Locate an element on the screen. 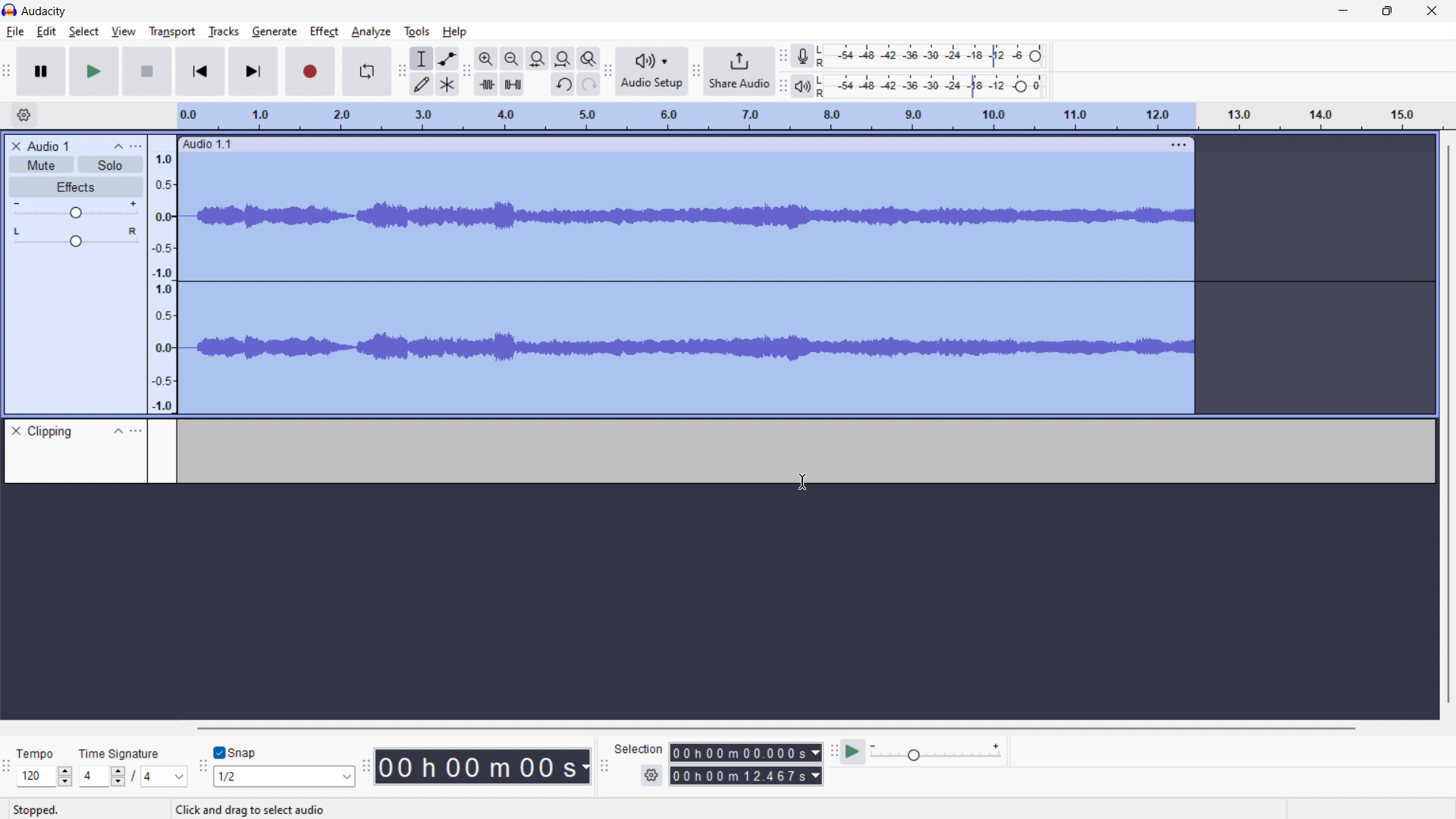  audio setup is located at coordinates (607, 72).